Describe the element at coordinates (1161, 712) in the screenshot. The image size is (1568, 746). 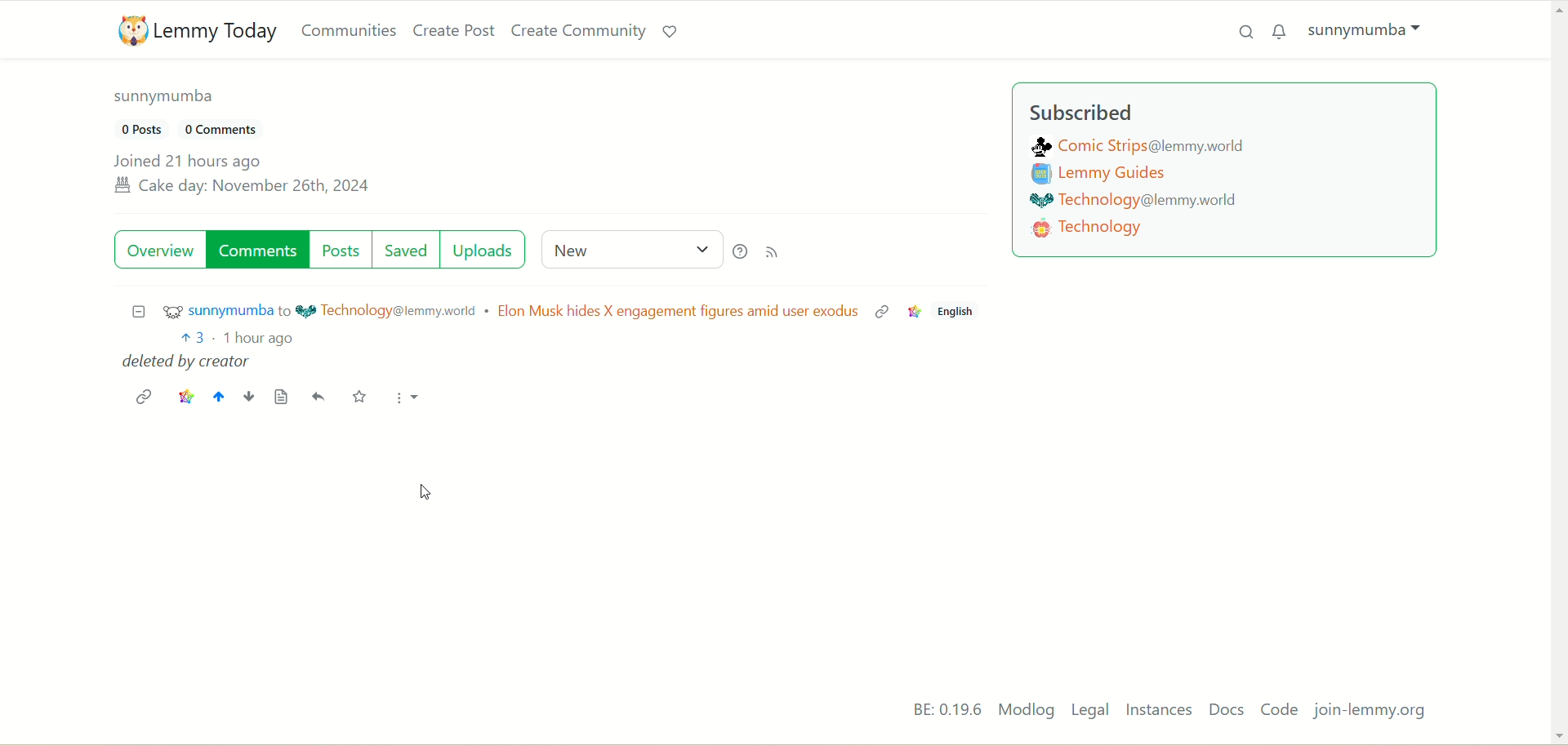
I see `Instances` at that location.